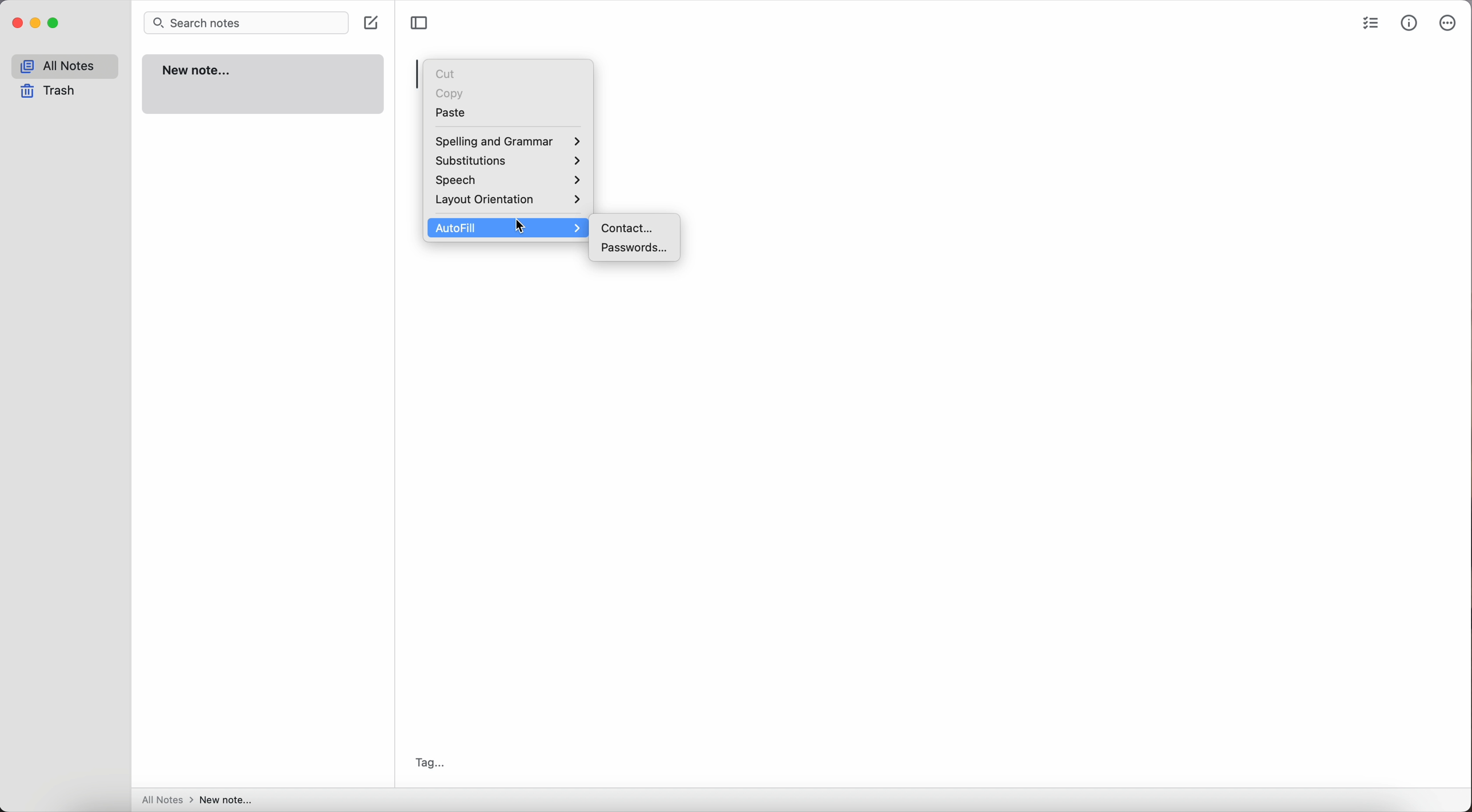  Describe the element at coordinates (506, 142) in the screenshot. I see `spelling and grammar` at that location.